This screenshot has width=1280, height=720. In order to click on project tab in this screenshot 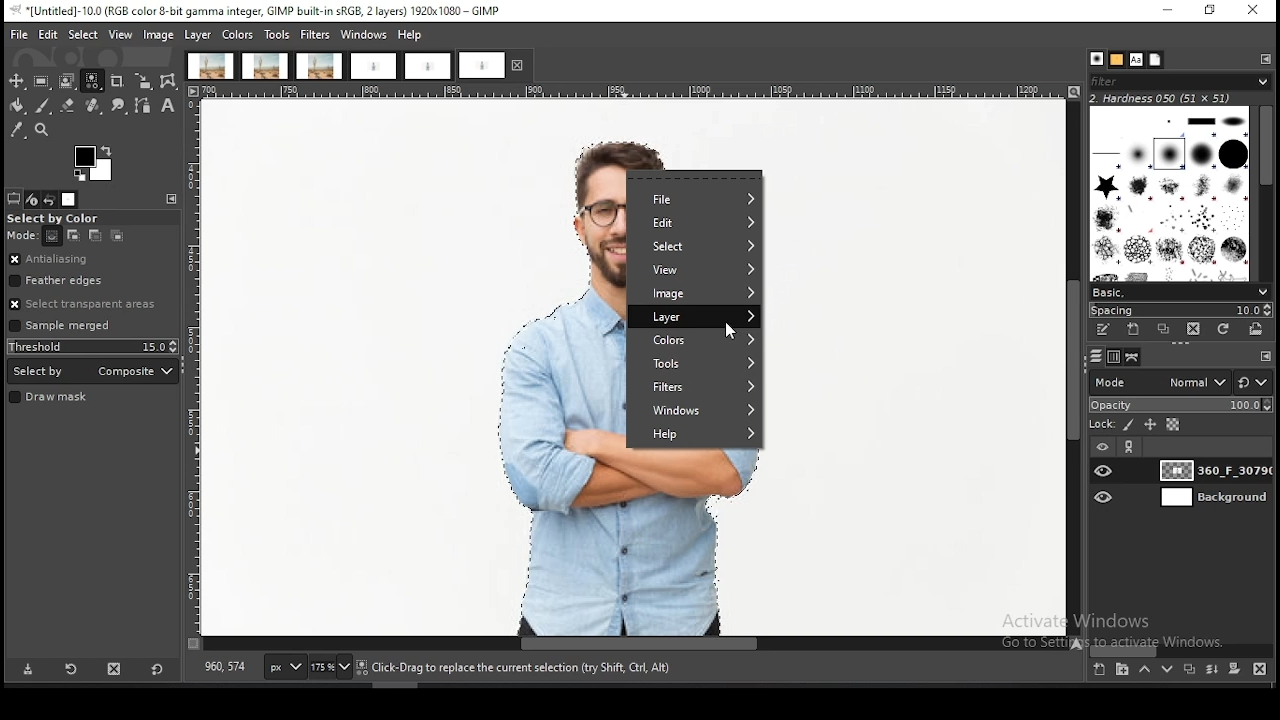, I will do `click(320, 66)`.